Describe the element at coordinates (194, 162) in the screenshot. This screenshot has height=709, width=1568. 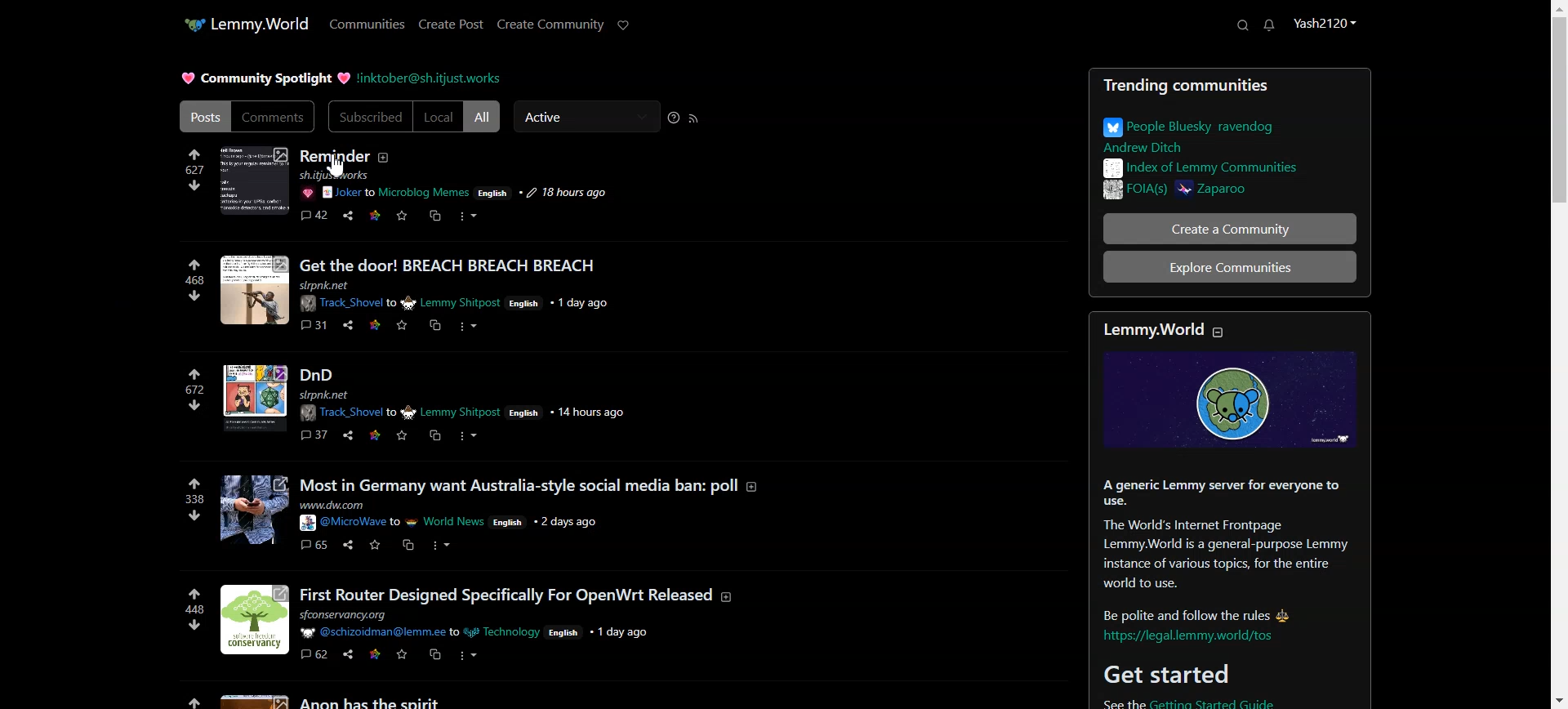
I see `Upvote` at that location.